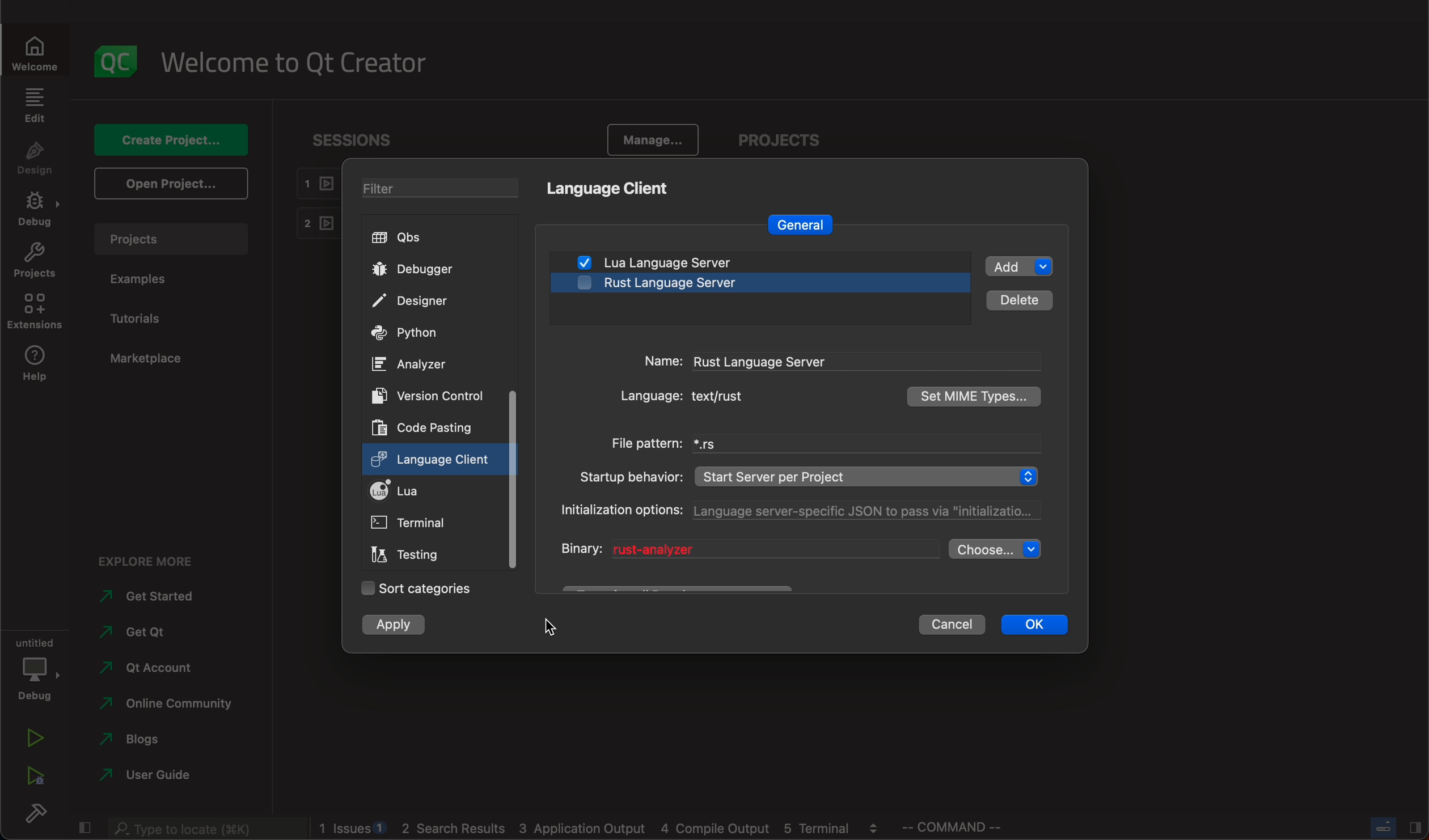  What do you see at coordinates (119, 61) in the screenshot?
I see `logo` at bounding box center [119, 61].